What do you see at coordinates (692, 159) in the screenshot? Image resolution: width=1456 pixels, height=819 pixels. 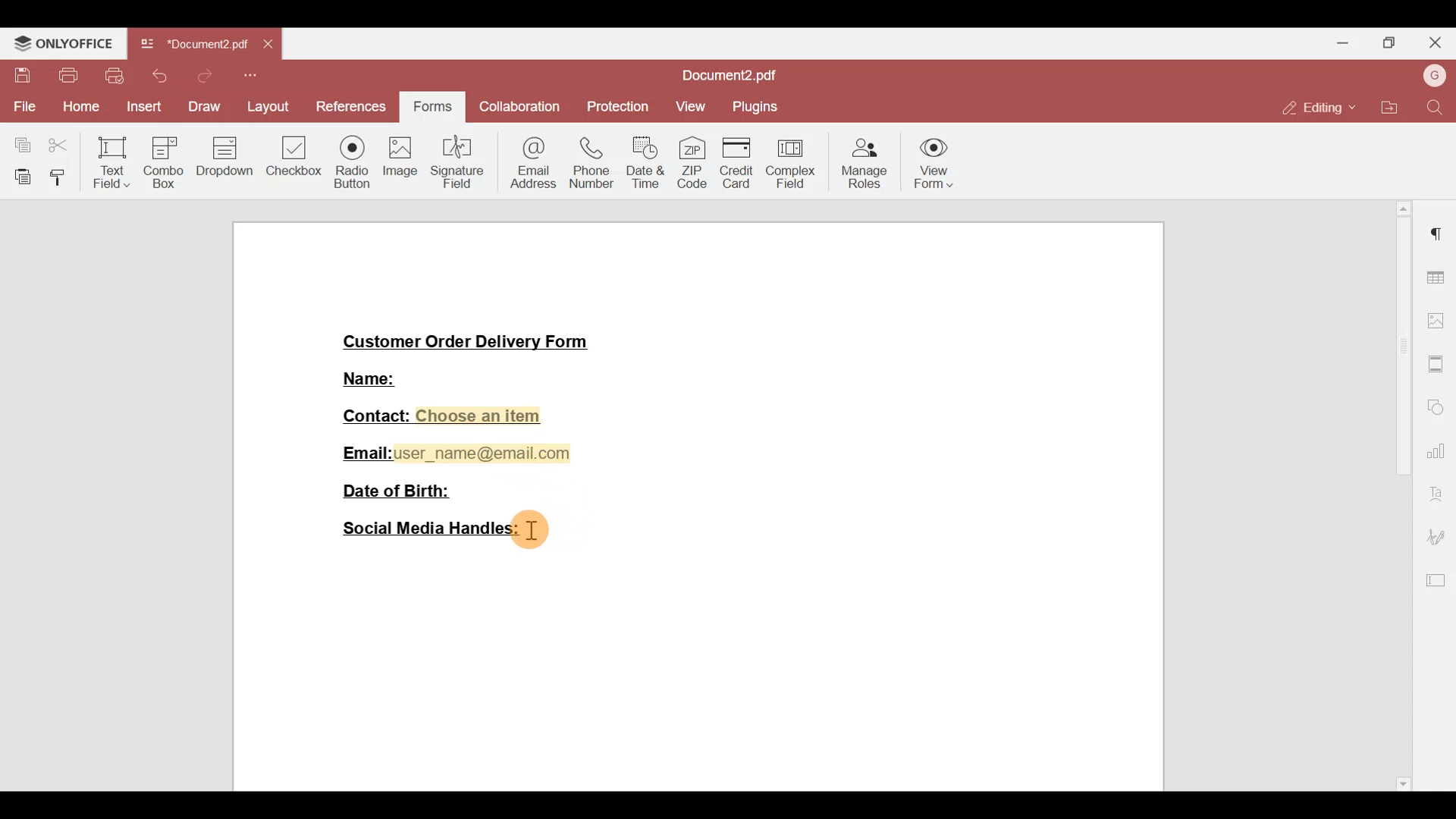 I see `ZIP code` at bounding box center [692, 159].